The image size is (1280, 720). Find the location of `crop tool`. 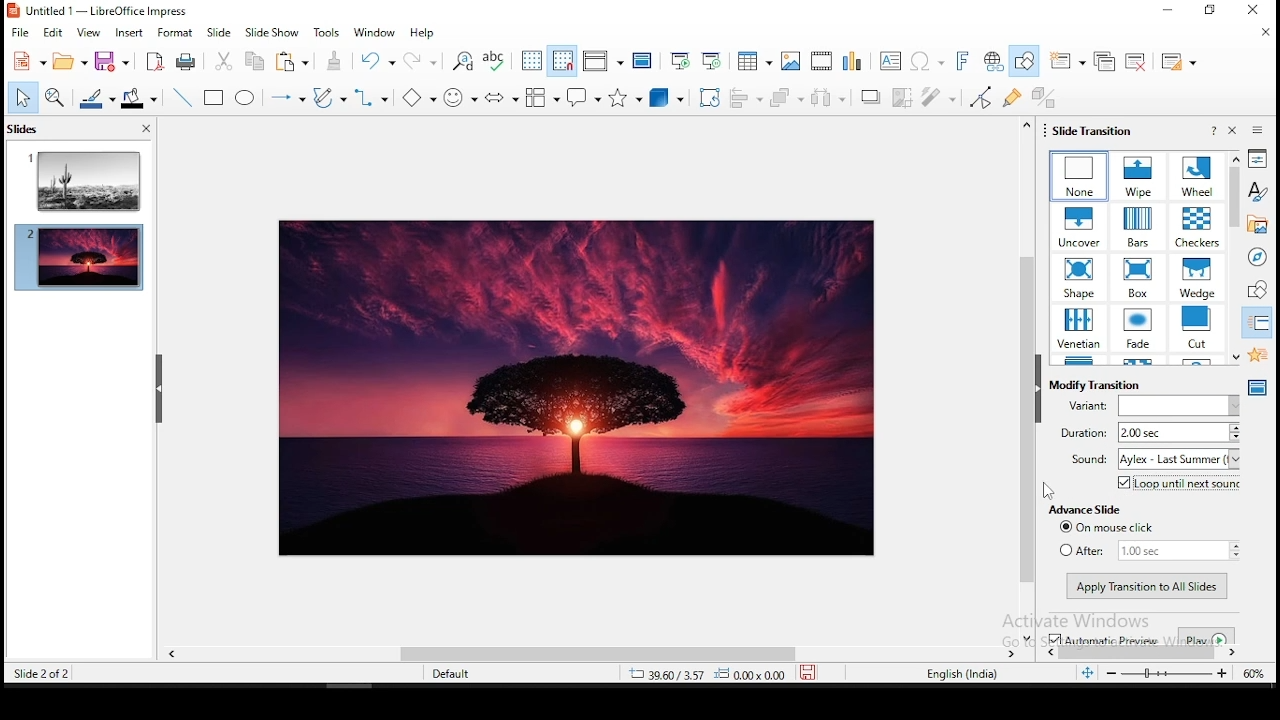

crop tool is located at coordinates (709, 97).